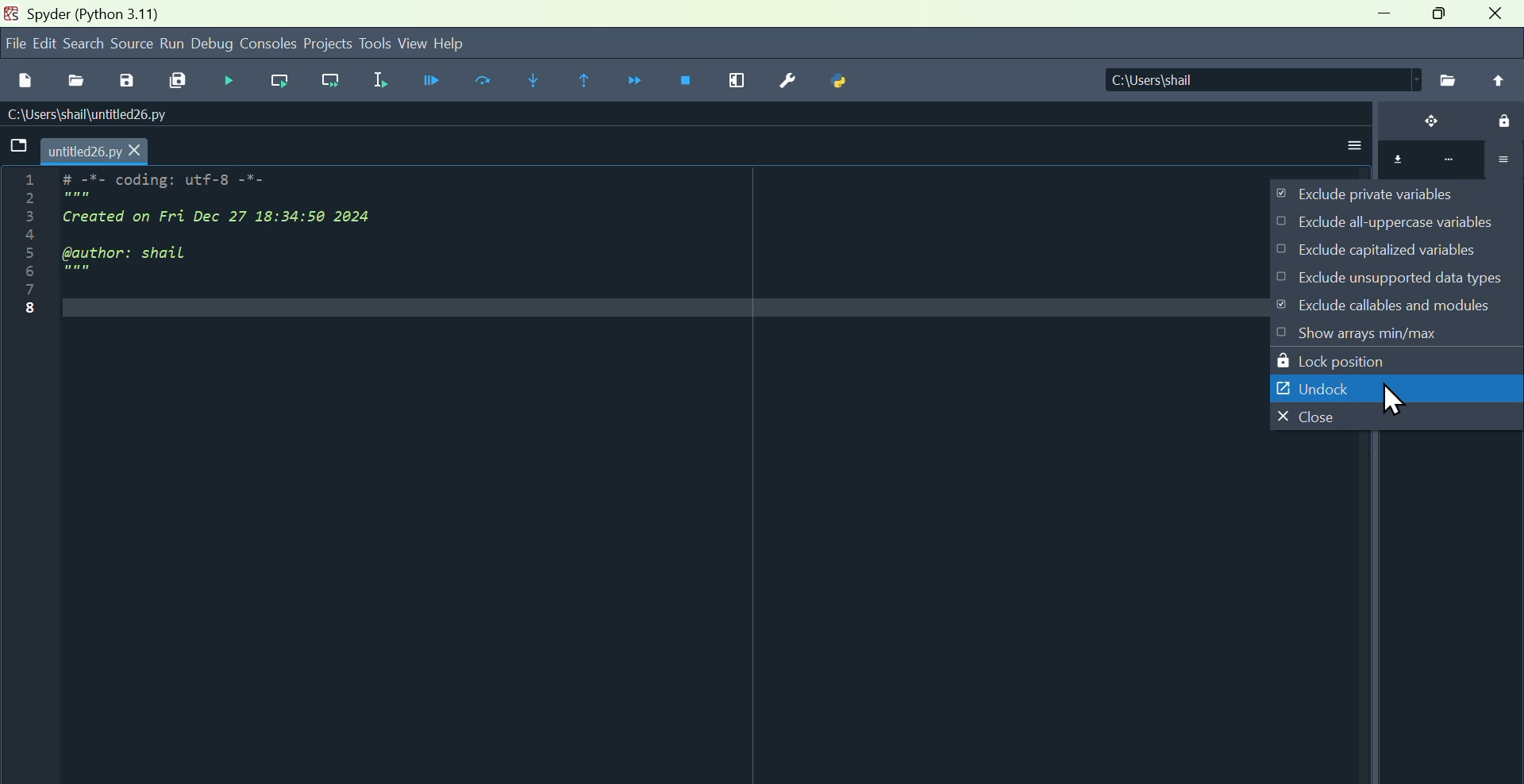 This screenshot has width=1524, height=784. Describe the element at coordinates (44, 43) in the screenshot. I see `` at that location.